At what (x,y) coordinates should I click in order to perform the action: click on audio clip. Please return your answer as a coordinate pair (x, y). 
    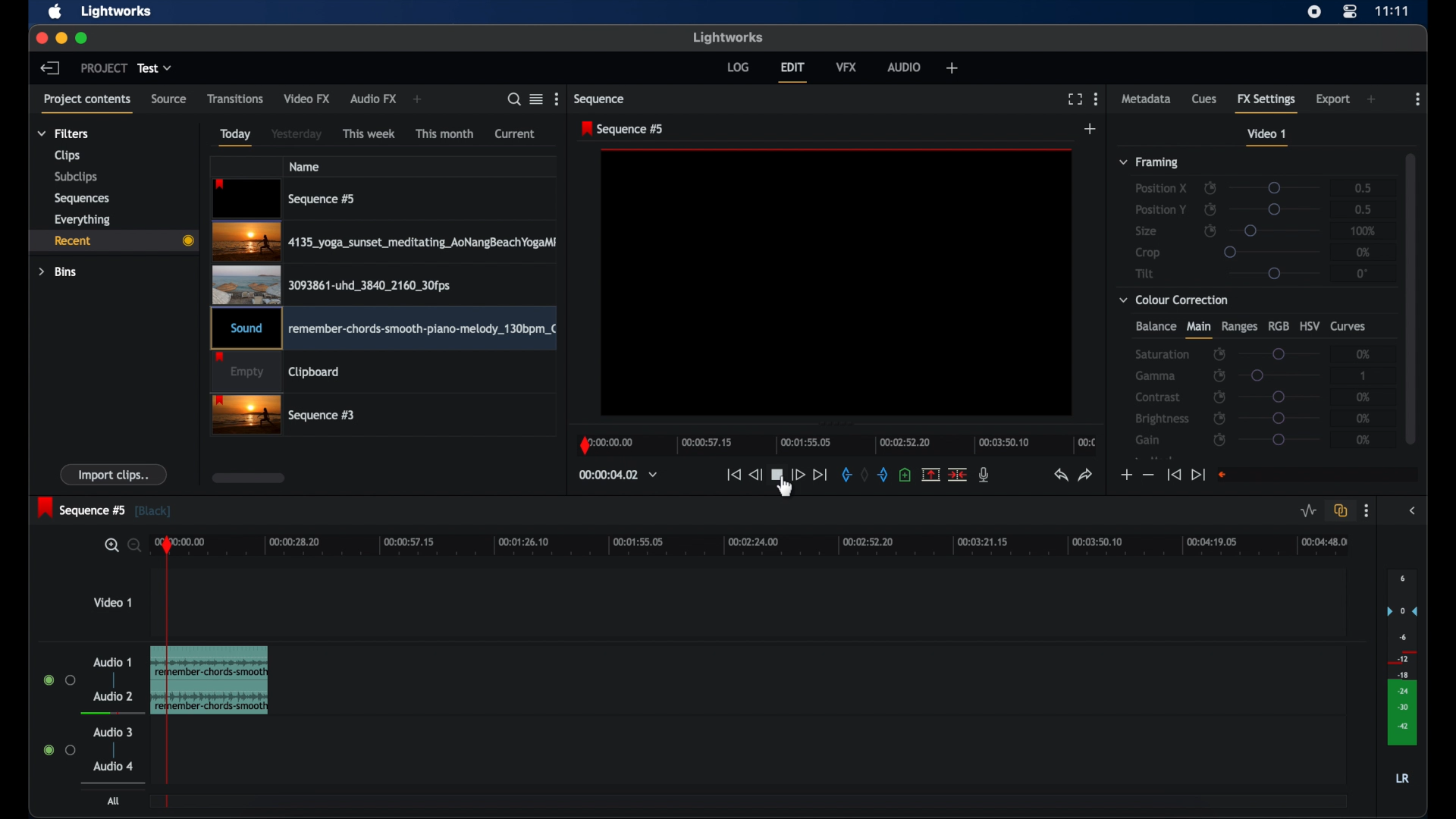
    Looking at the image, I should click on (383, 330).